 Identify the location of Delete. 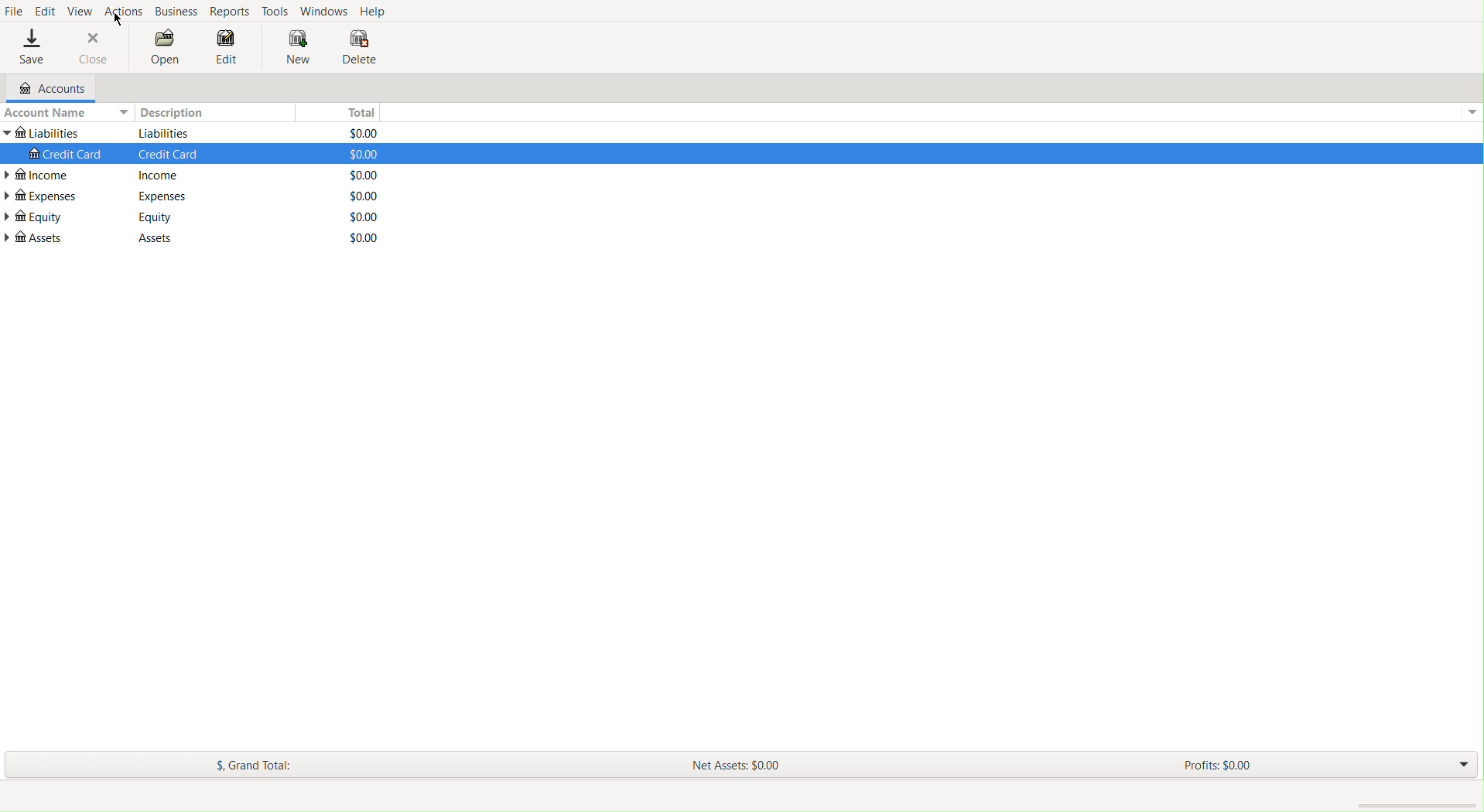
(358, 45).